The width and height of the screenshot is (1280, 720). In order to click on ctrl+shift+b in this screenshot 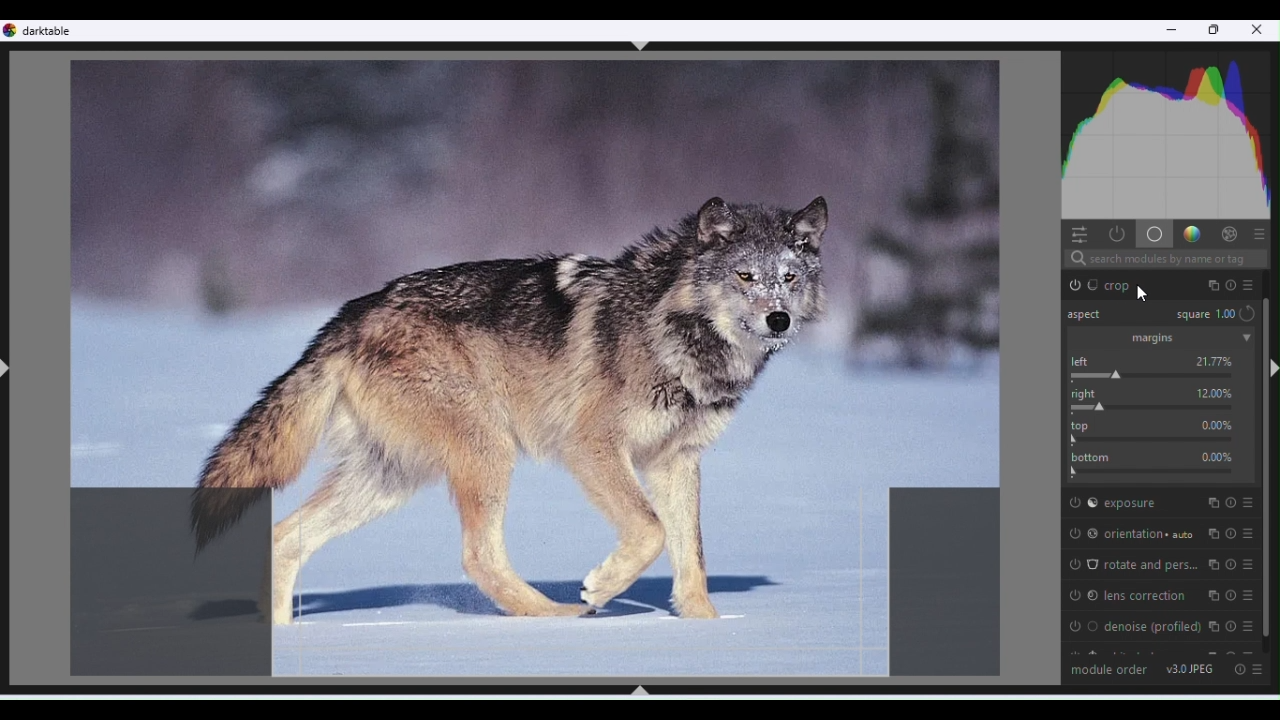, I will do `click(639, 690)`.